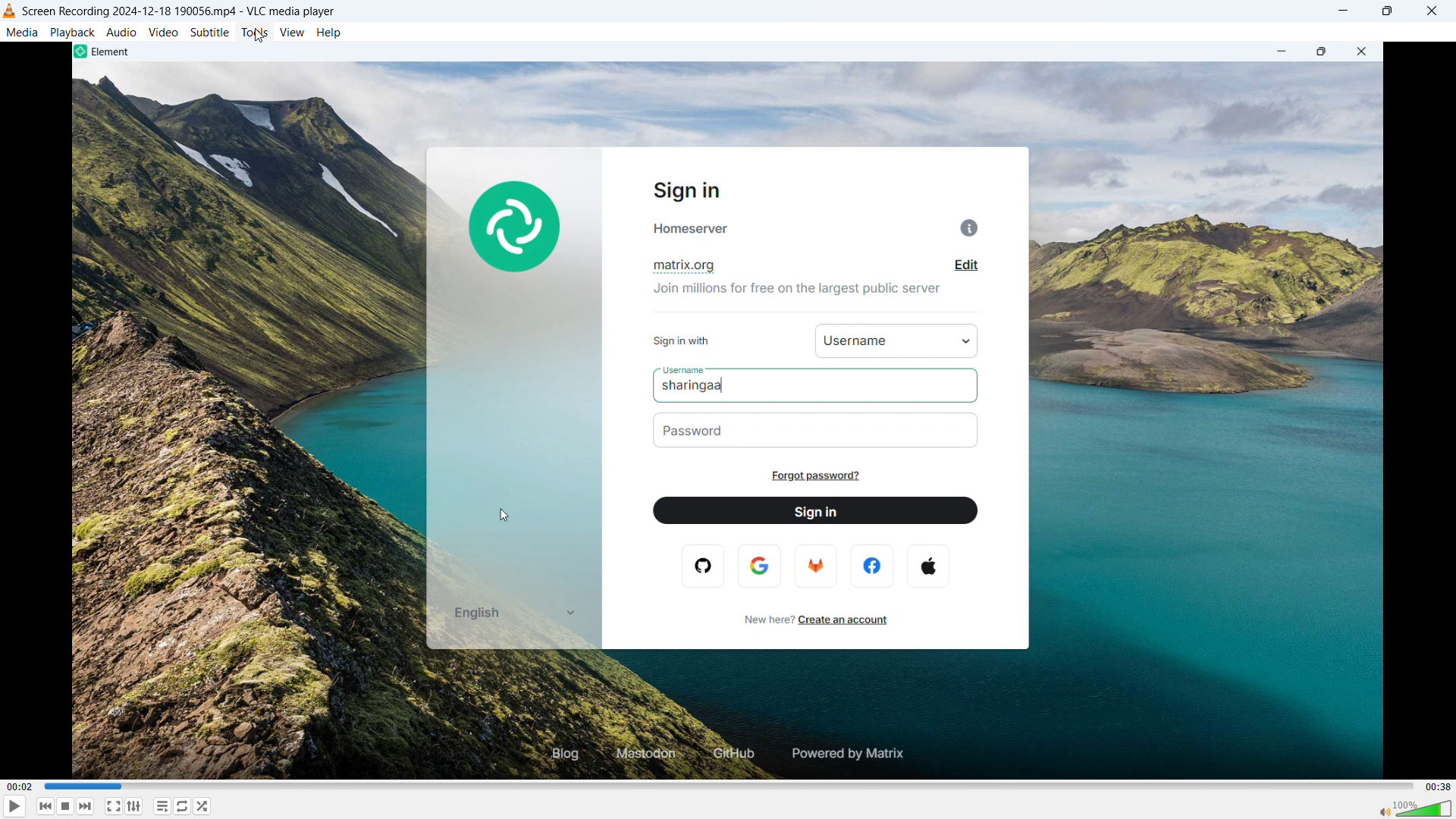  What do you see at coordinates (65, 806) in the screenshot?
I see `stop playing` at bounding box center [65, 806].